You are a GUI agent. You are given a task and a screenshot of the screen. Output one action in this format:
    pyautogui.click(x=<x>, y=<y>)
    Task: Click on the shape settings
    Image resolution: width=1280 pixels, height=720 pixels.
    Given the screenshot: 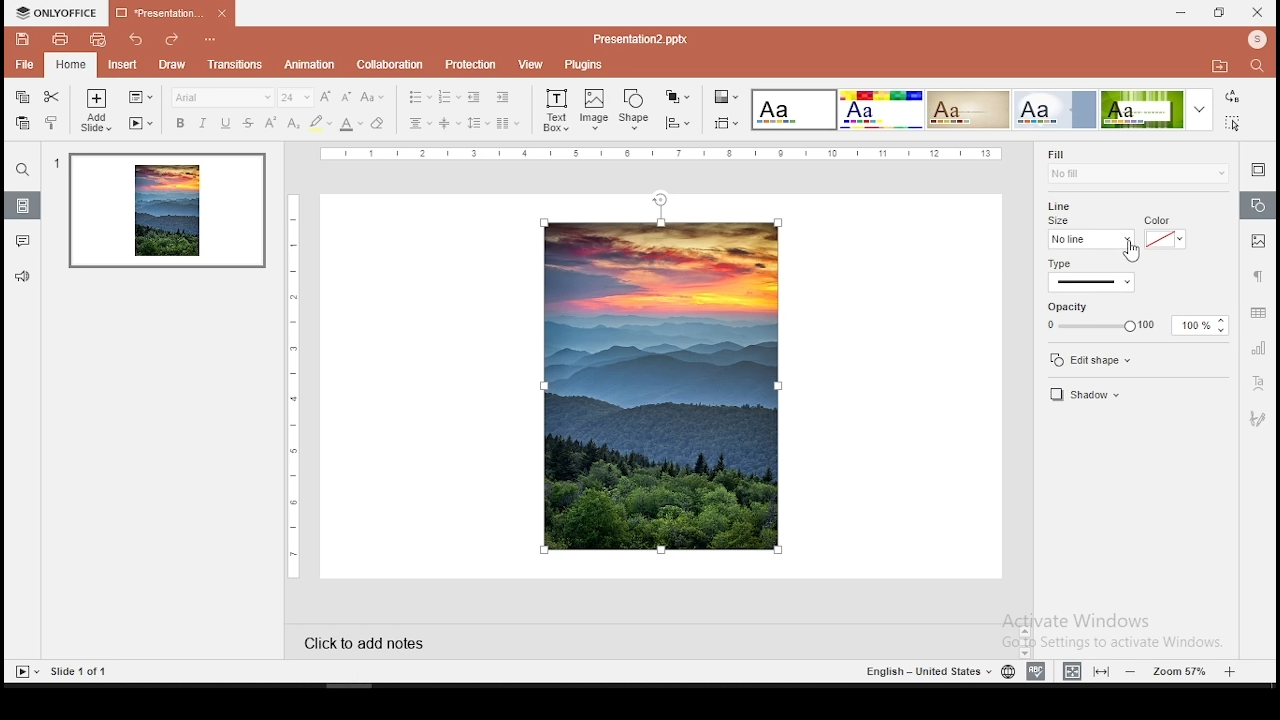 What is the action you would take?
    pyautogui.click(x=1259, y=207)
    